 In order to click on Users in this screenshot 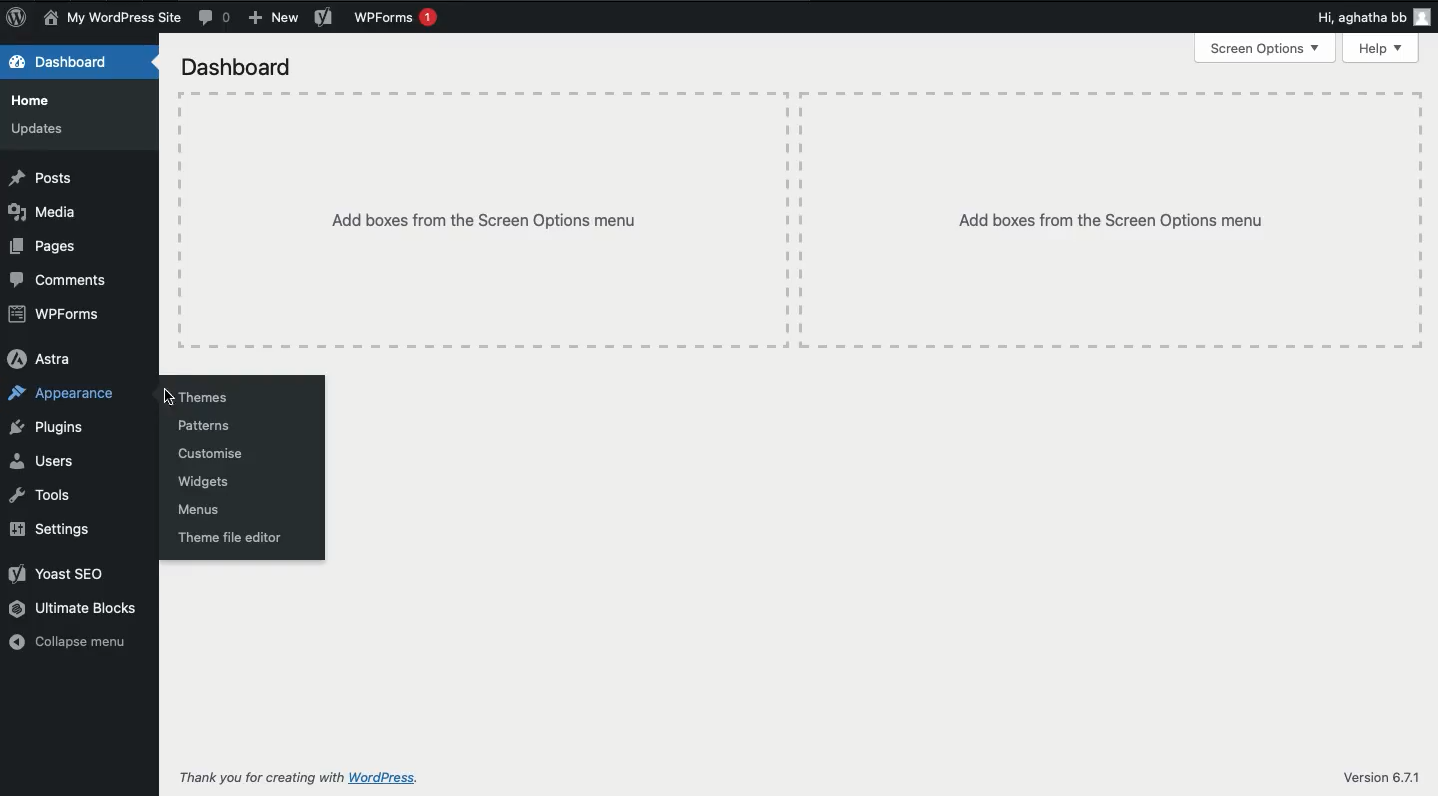, I will do `click(45, 460)`.